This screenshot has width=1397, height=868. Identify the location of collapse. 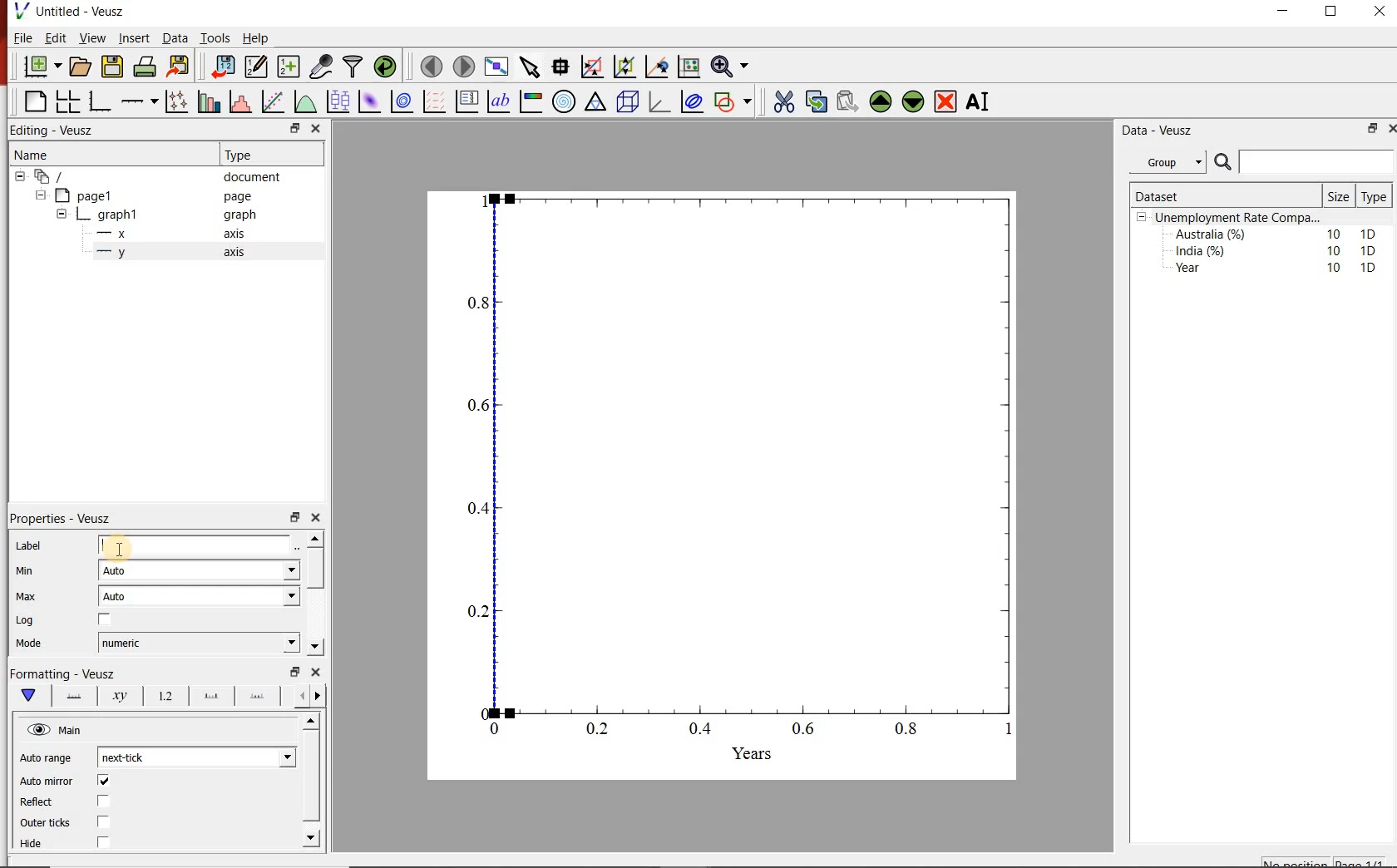
(40, 195).